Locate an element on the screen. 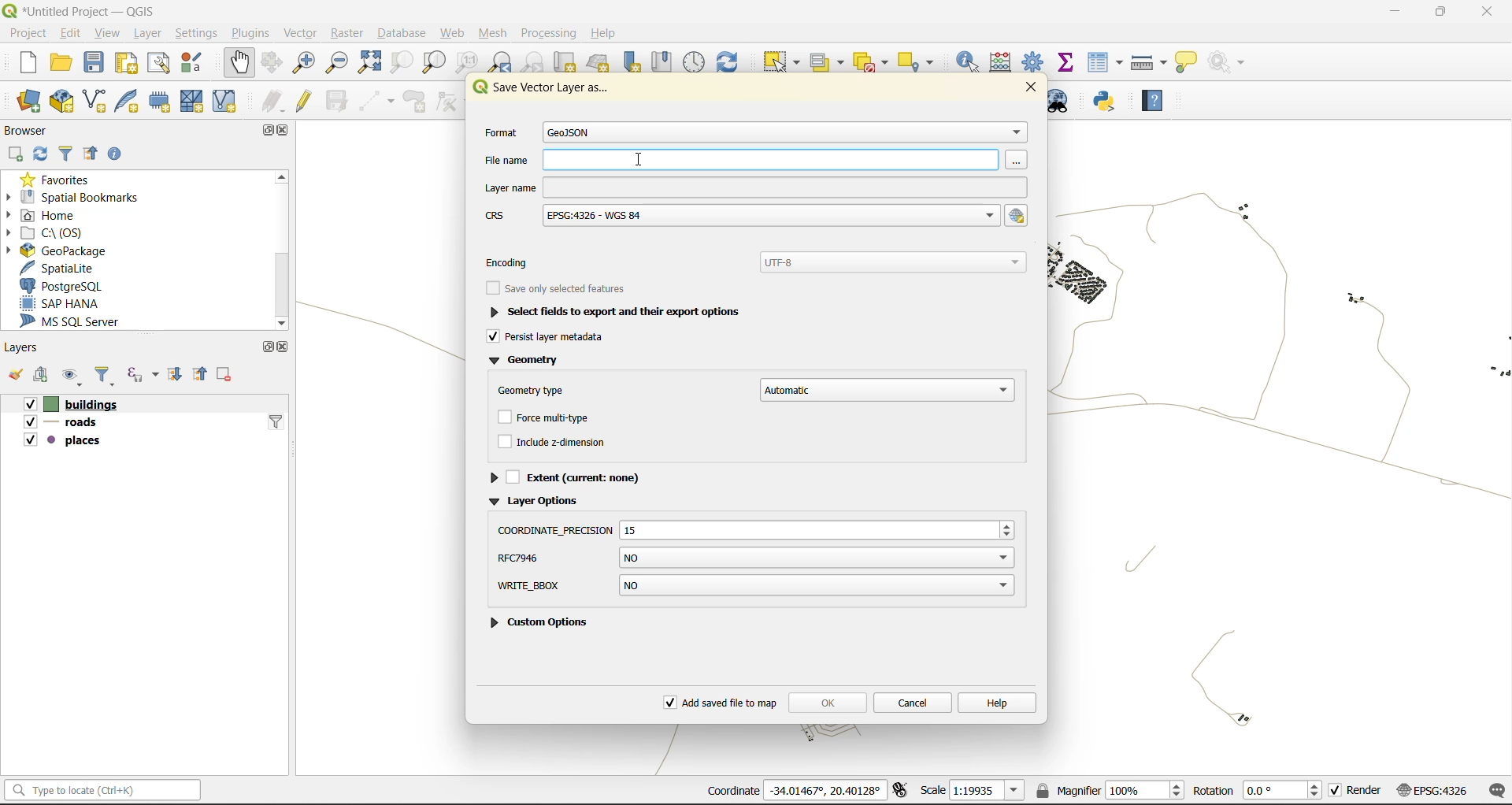 The width and height of the screenshot is (1512, 805). refresh is located at coordinates (43, 154).